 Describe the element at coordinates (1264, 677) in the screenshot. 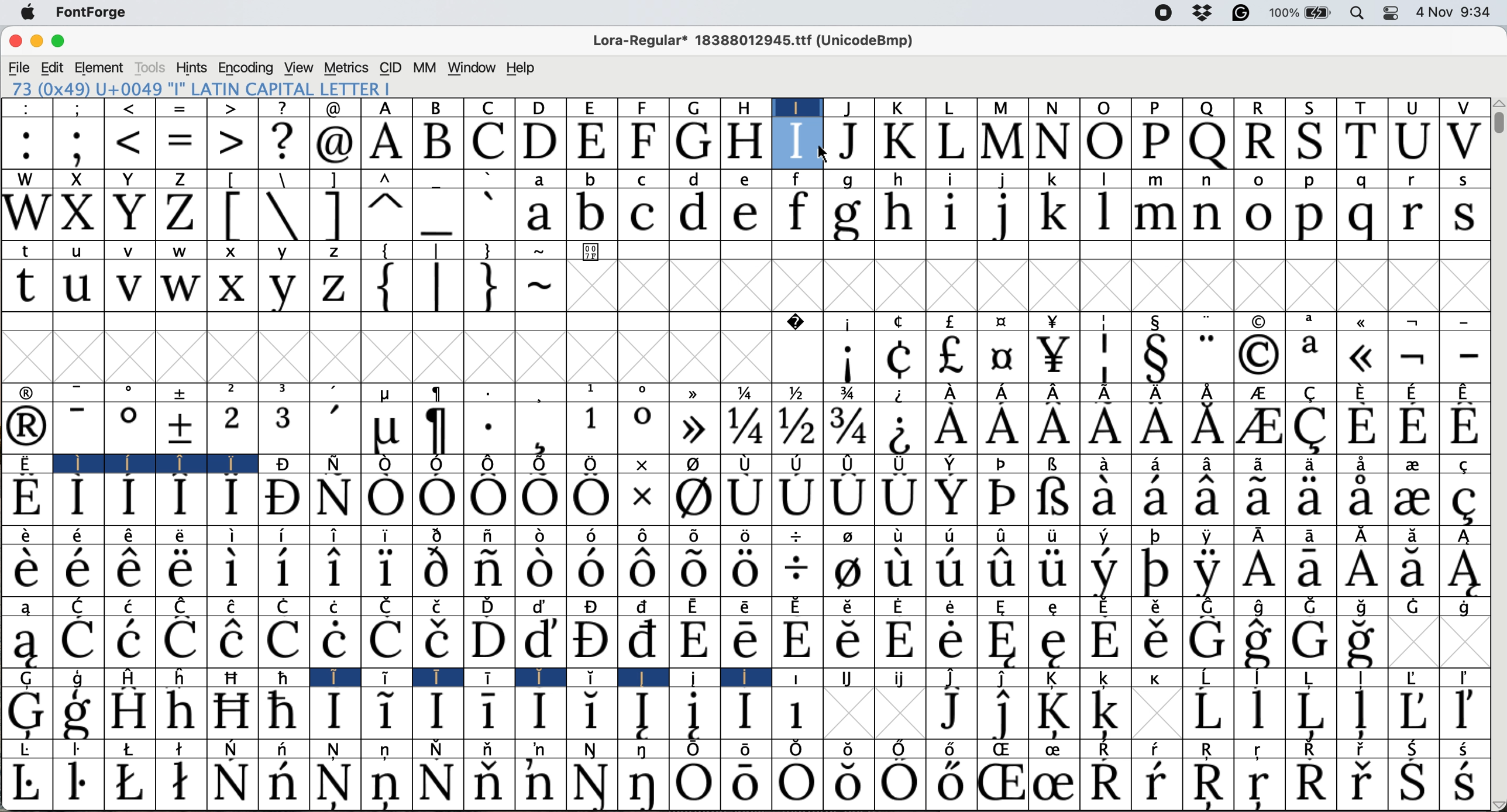

I see `Symbol` at that location.